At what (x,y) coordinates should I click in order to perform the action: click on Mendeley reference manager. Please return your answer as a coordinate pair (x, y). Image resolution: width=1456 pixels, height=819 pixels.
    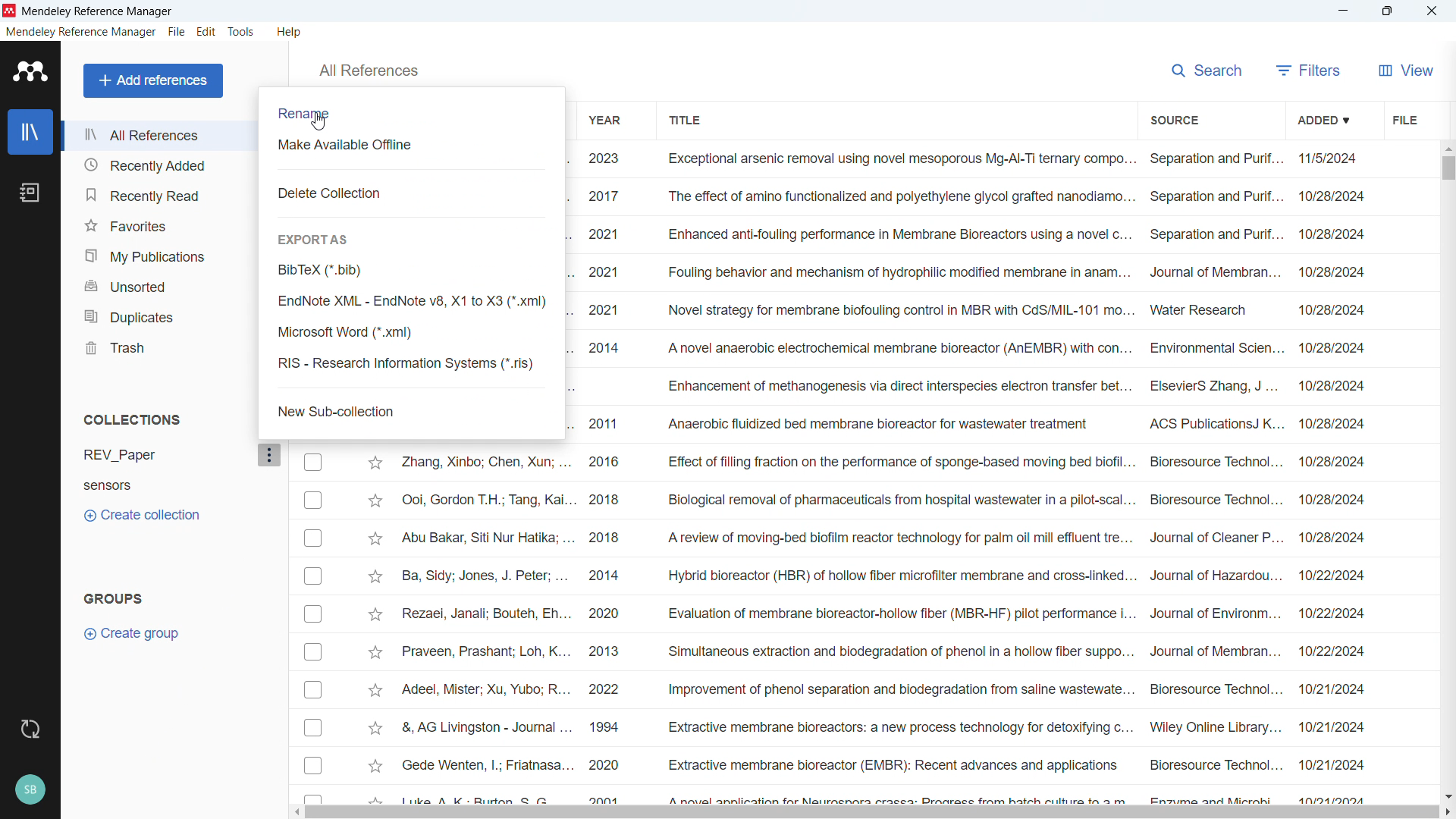
    Looking at the image, I should click on (99, 11).